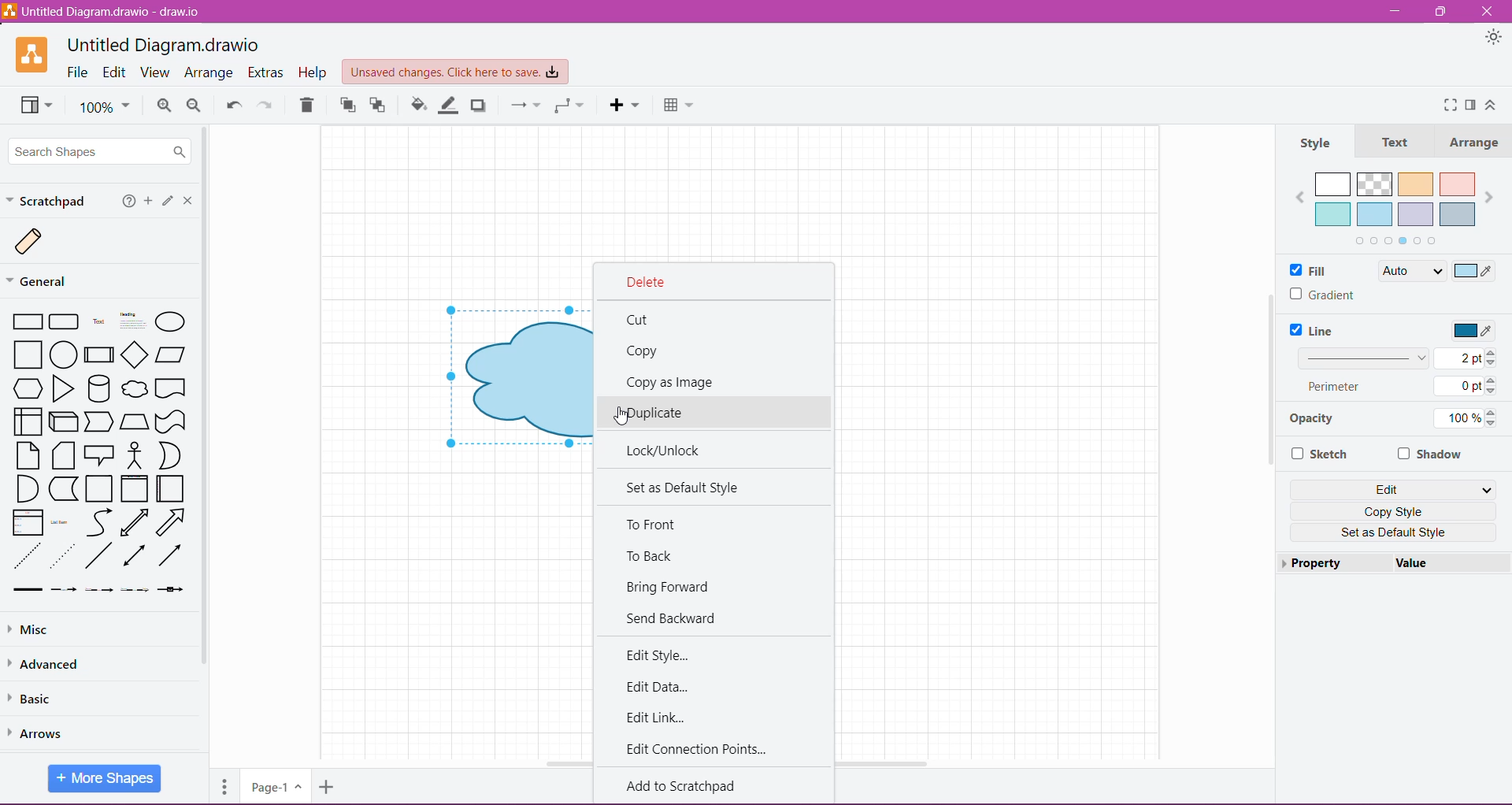 The width and height of the screenshot is (1512, 805). Describe the element at coordinates (224, 786) in the screenshot. I see `Pages` at that location.